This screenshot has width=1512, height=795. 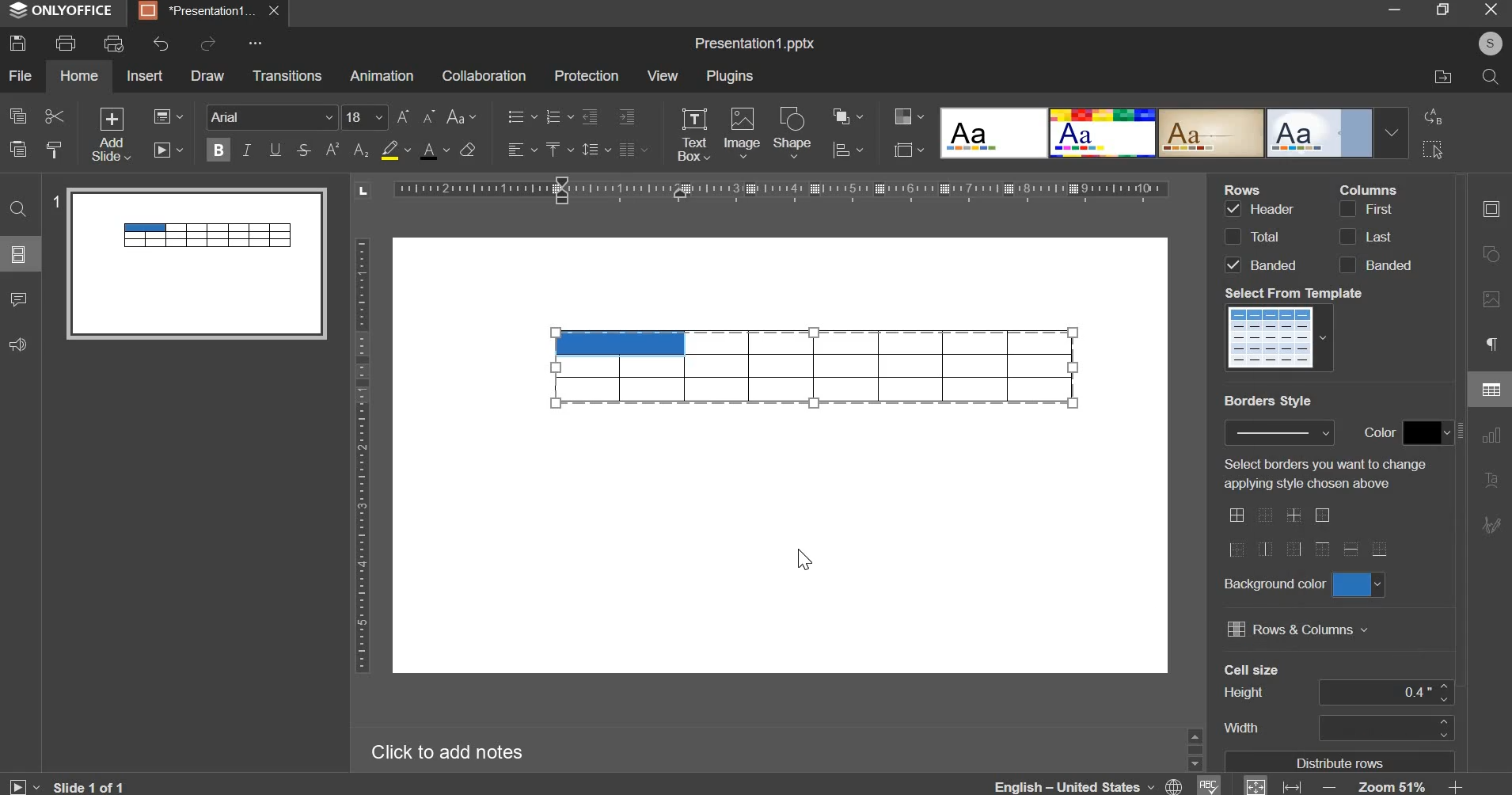 I want to click on redo, so click(x=207, y=44).